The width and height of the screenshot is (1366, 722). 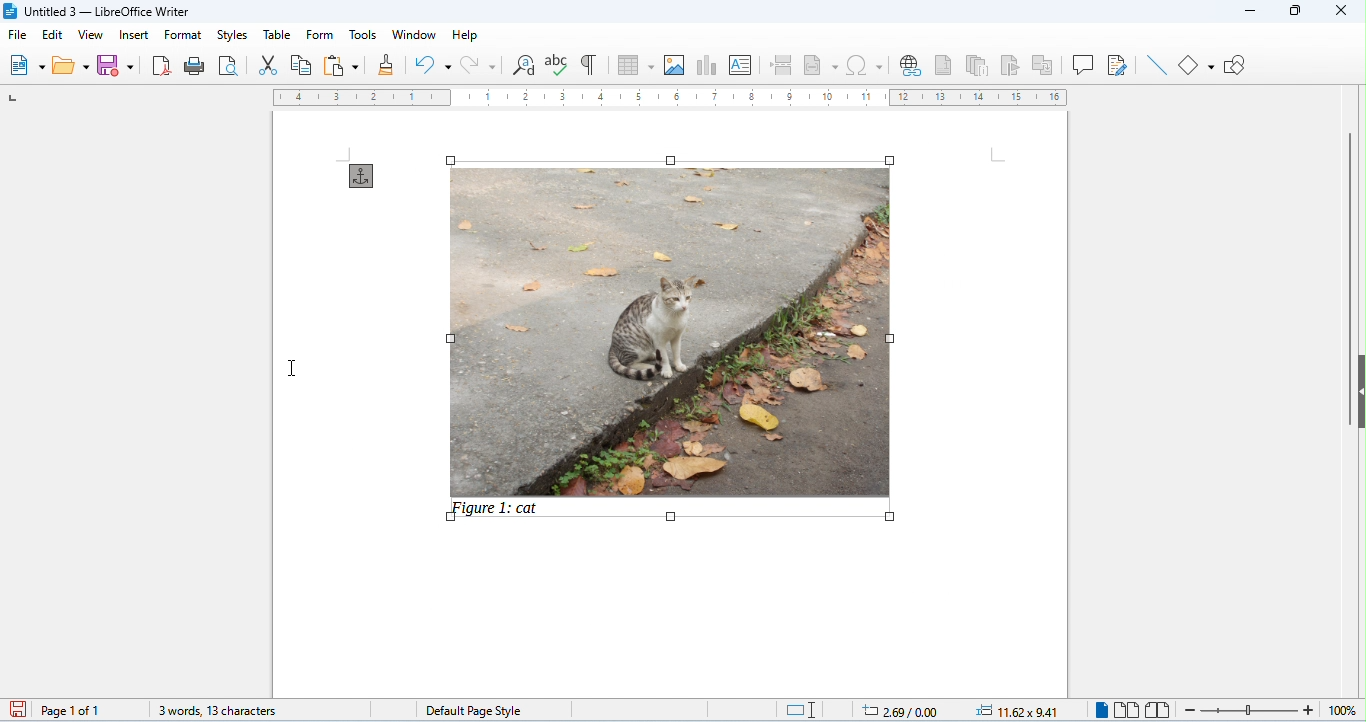 What do you see at coordinates (133, 34) in the screenshot?
I see `insert` at bounding box center [133, 34].